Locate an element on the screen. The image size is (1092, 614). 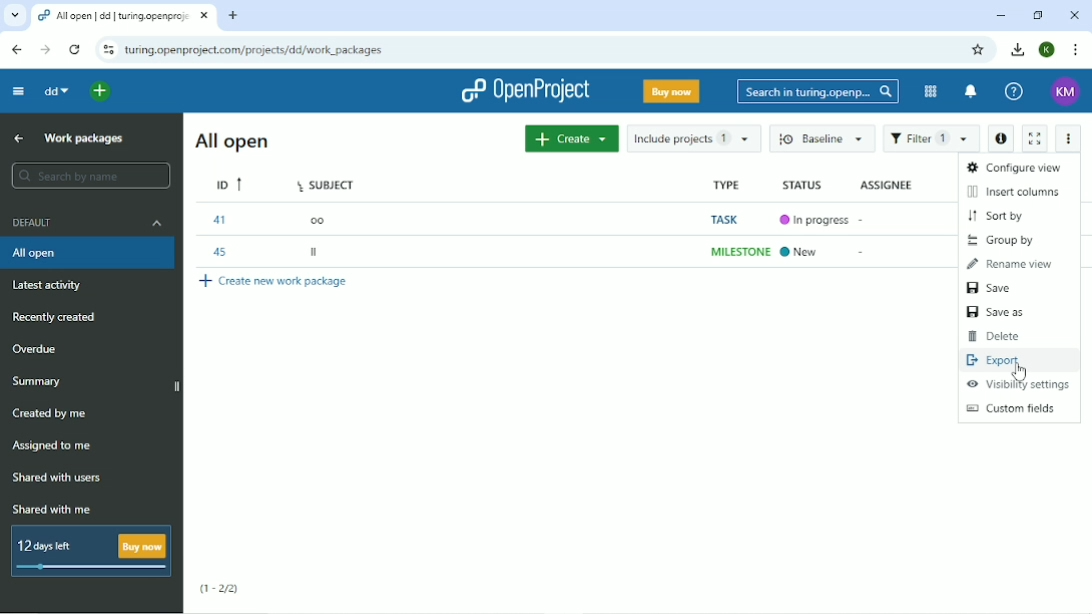
Create new work package is located at coordinates (276, 282).